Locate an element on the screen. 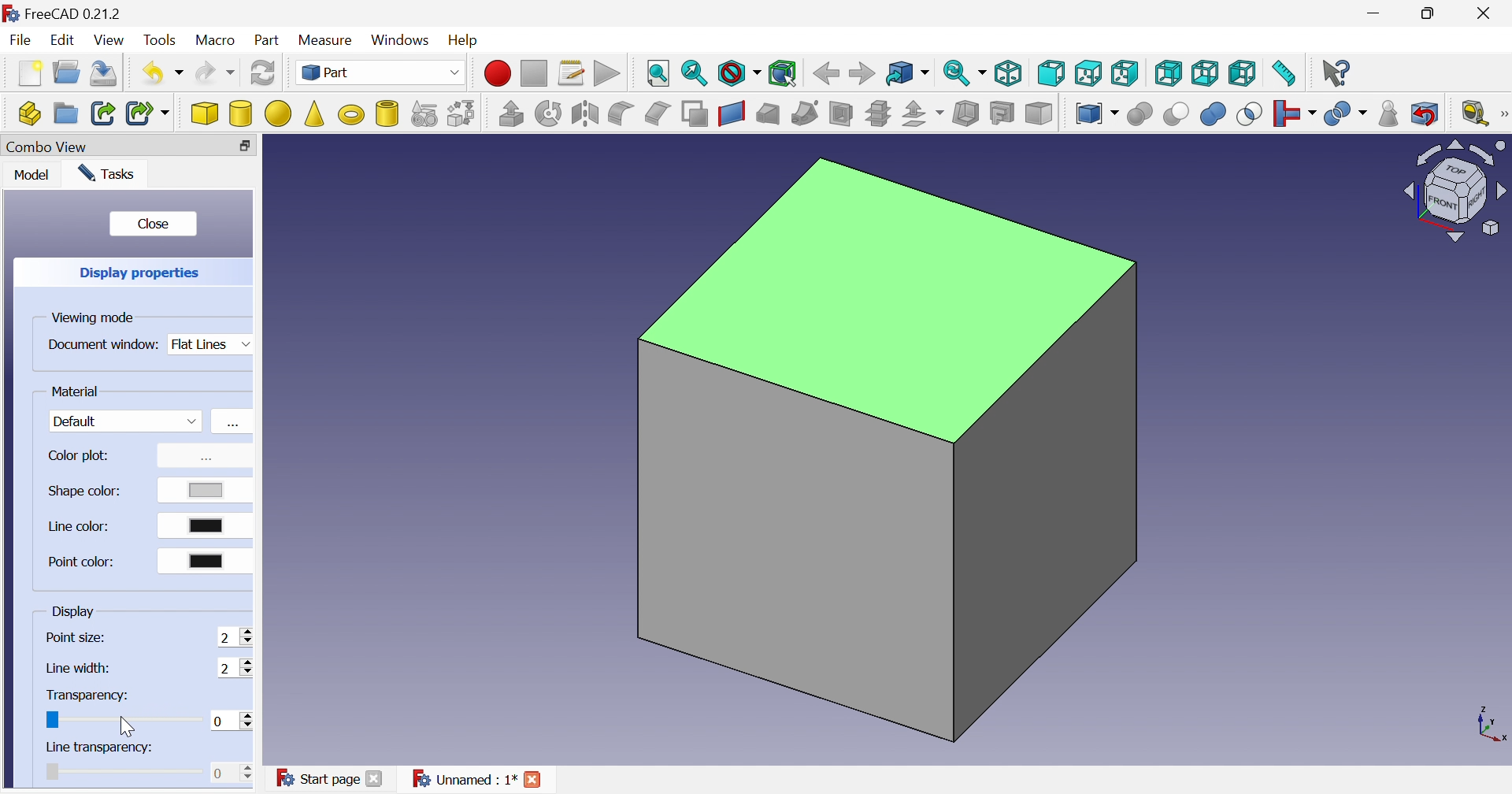 This screenshot has height=794, width=1512. Save is located at coordinates (108, 73).